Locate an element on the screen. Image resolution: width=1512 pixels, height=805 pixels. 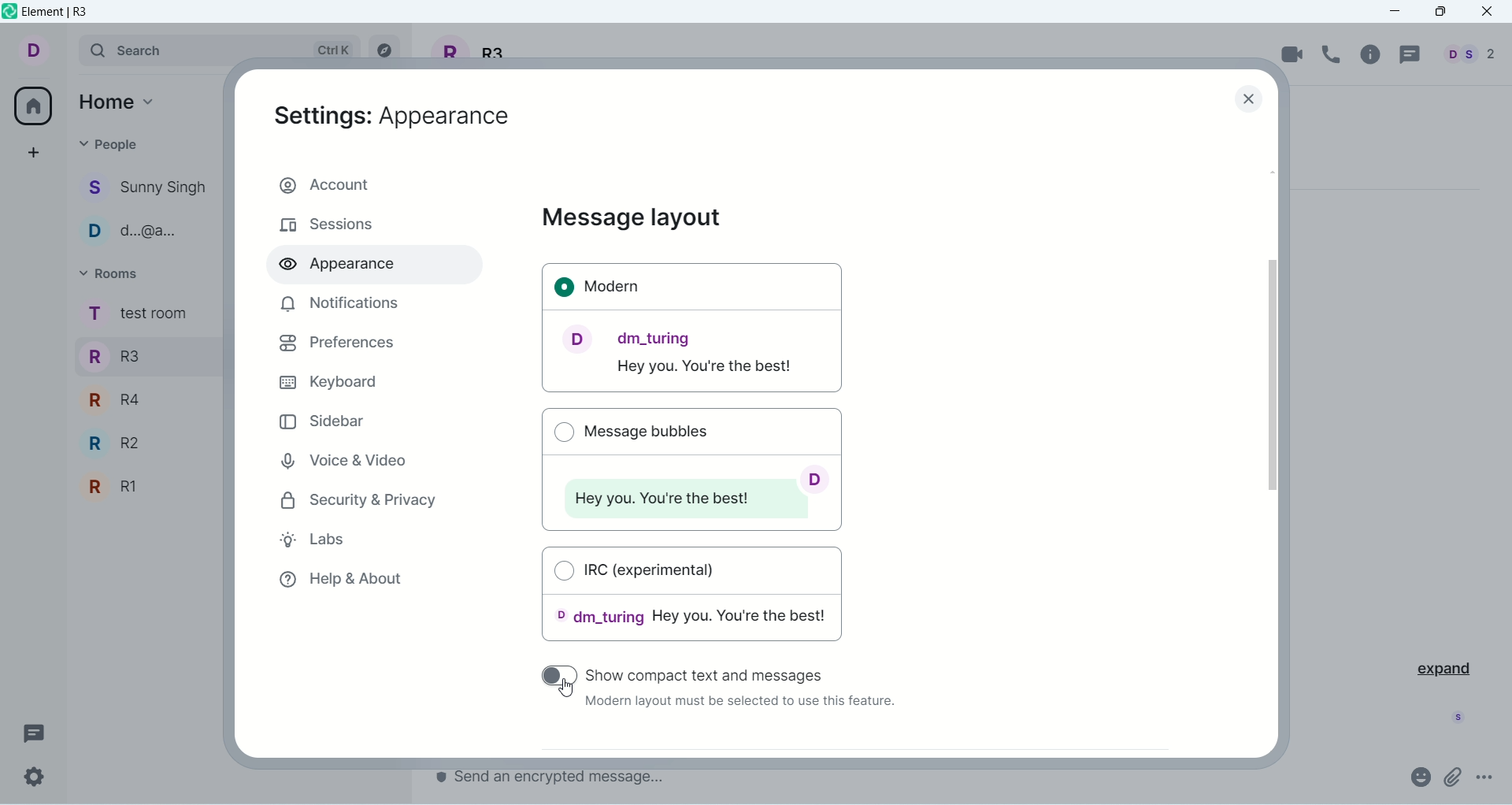
sidebar is located at coordinates (324, 421).